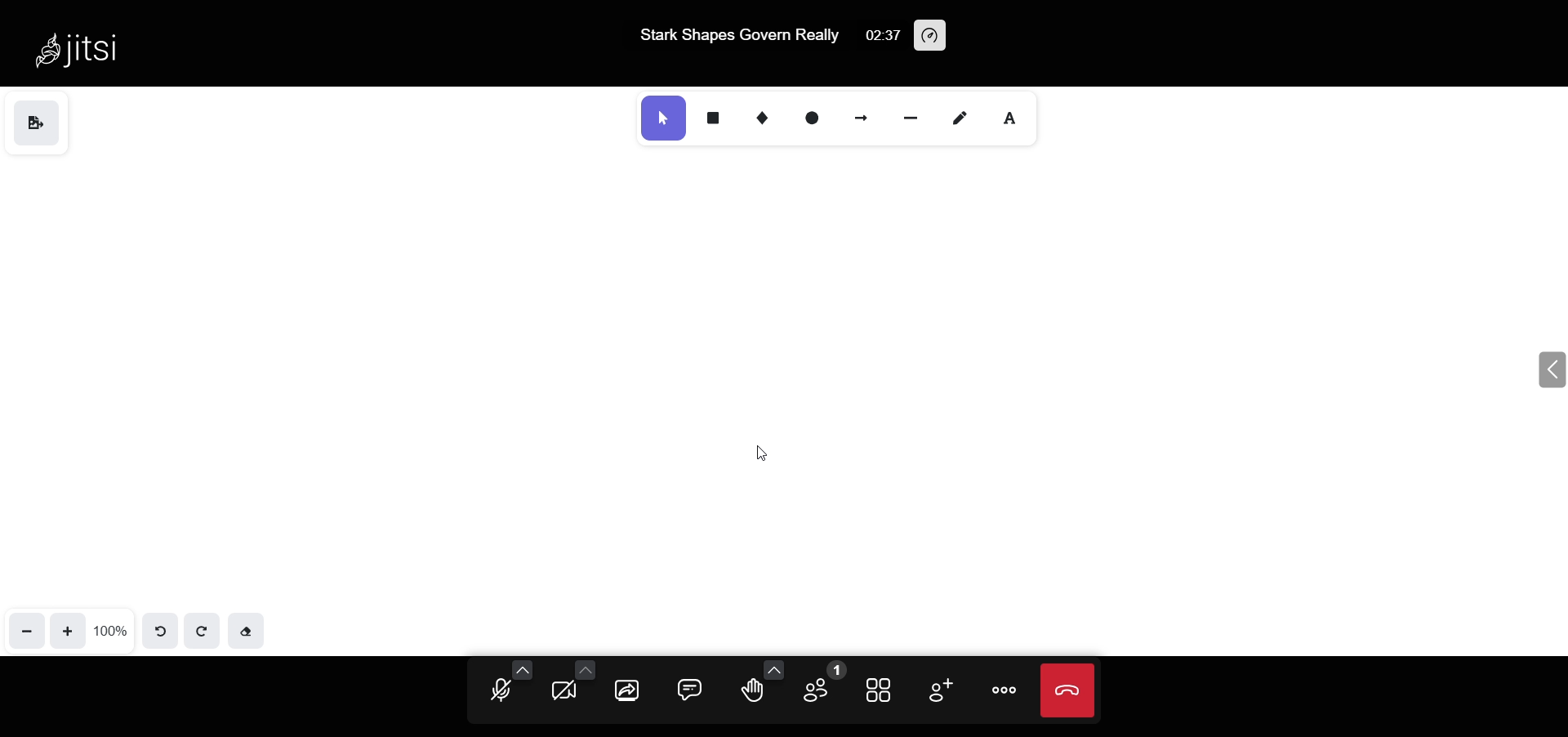  I want to click on more audio option, so click(523, 668).